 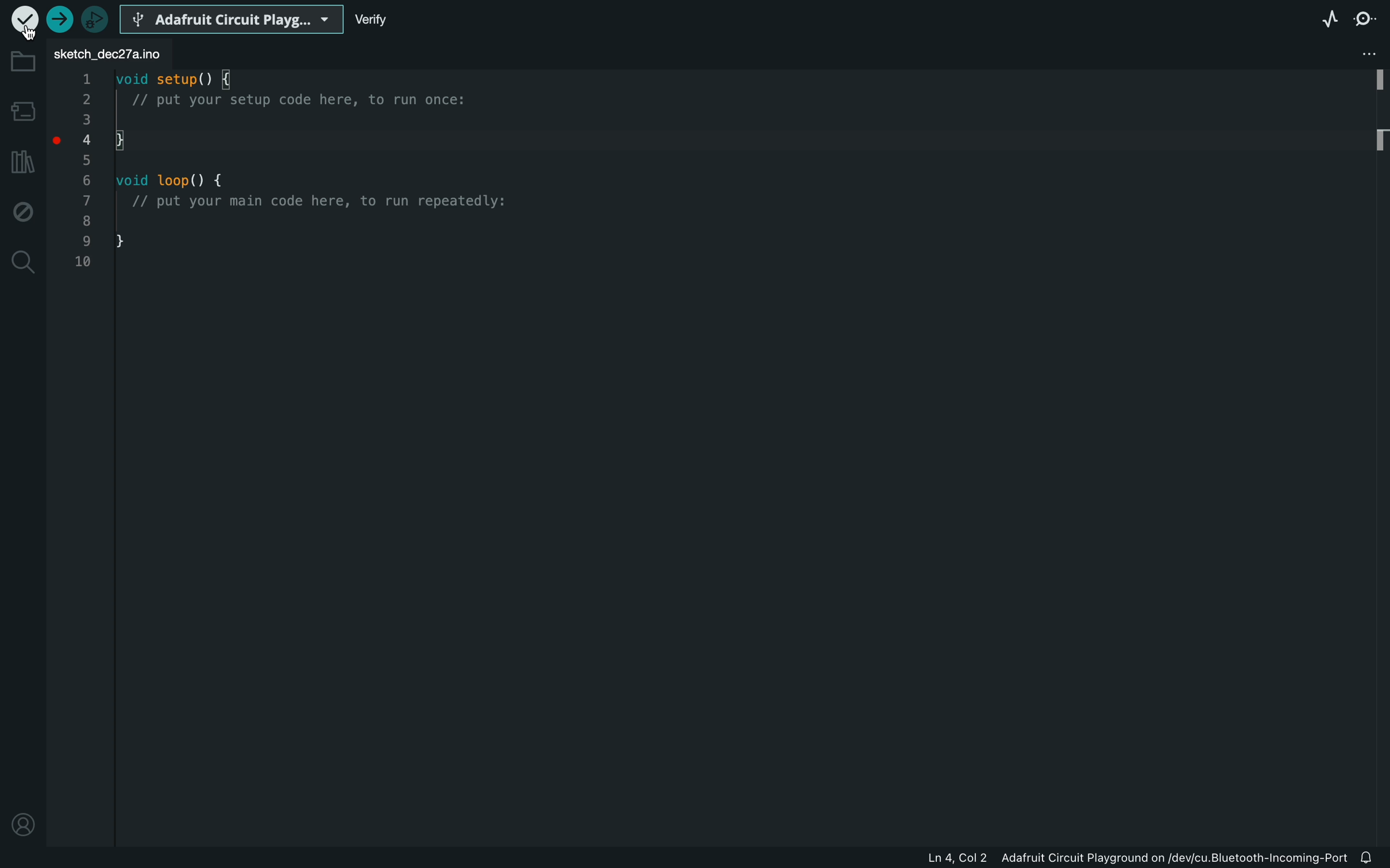 I want to click on folder, so click(x=22, y=60).